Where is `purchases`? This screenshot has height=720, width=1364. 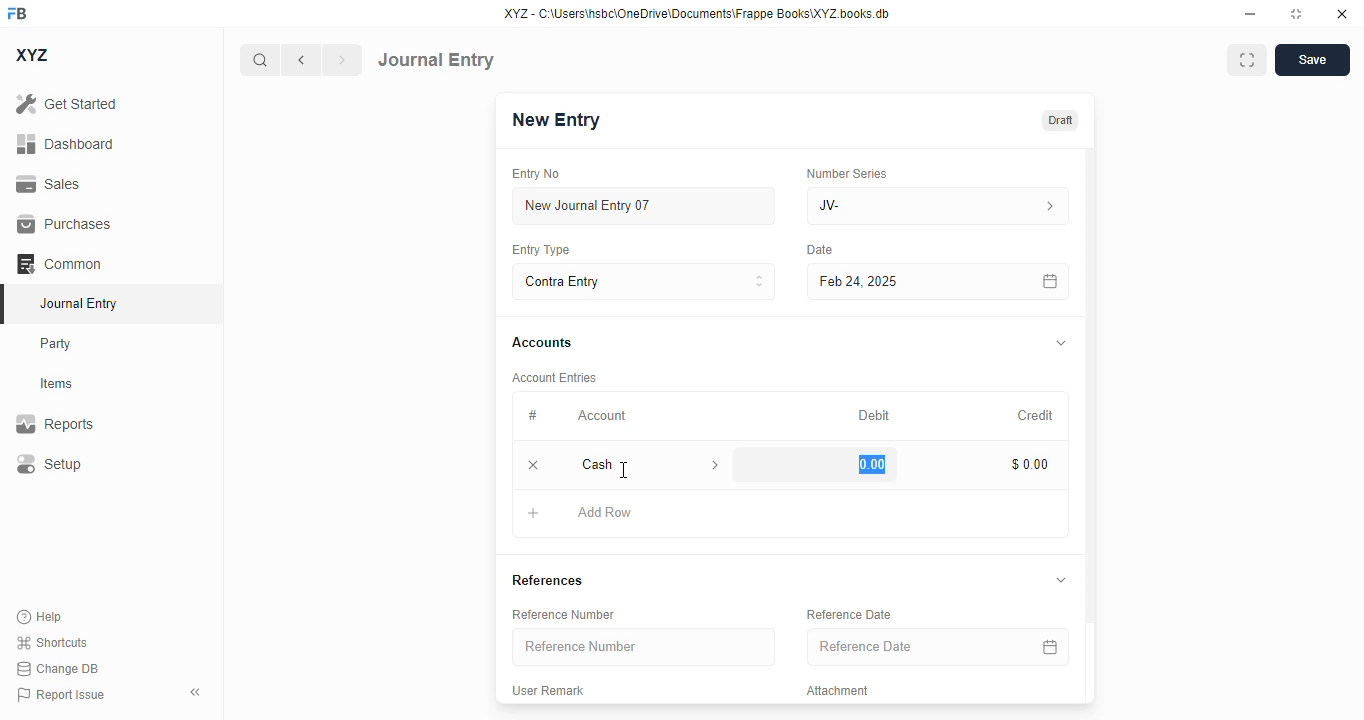
purchases is located at coordinates (66, 224).